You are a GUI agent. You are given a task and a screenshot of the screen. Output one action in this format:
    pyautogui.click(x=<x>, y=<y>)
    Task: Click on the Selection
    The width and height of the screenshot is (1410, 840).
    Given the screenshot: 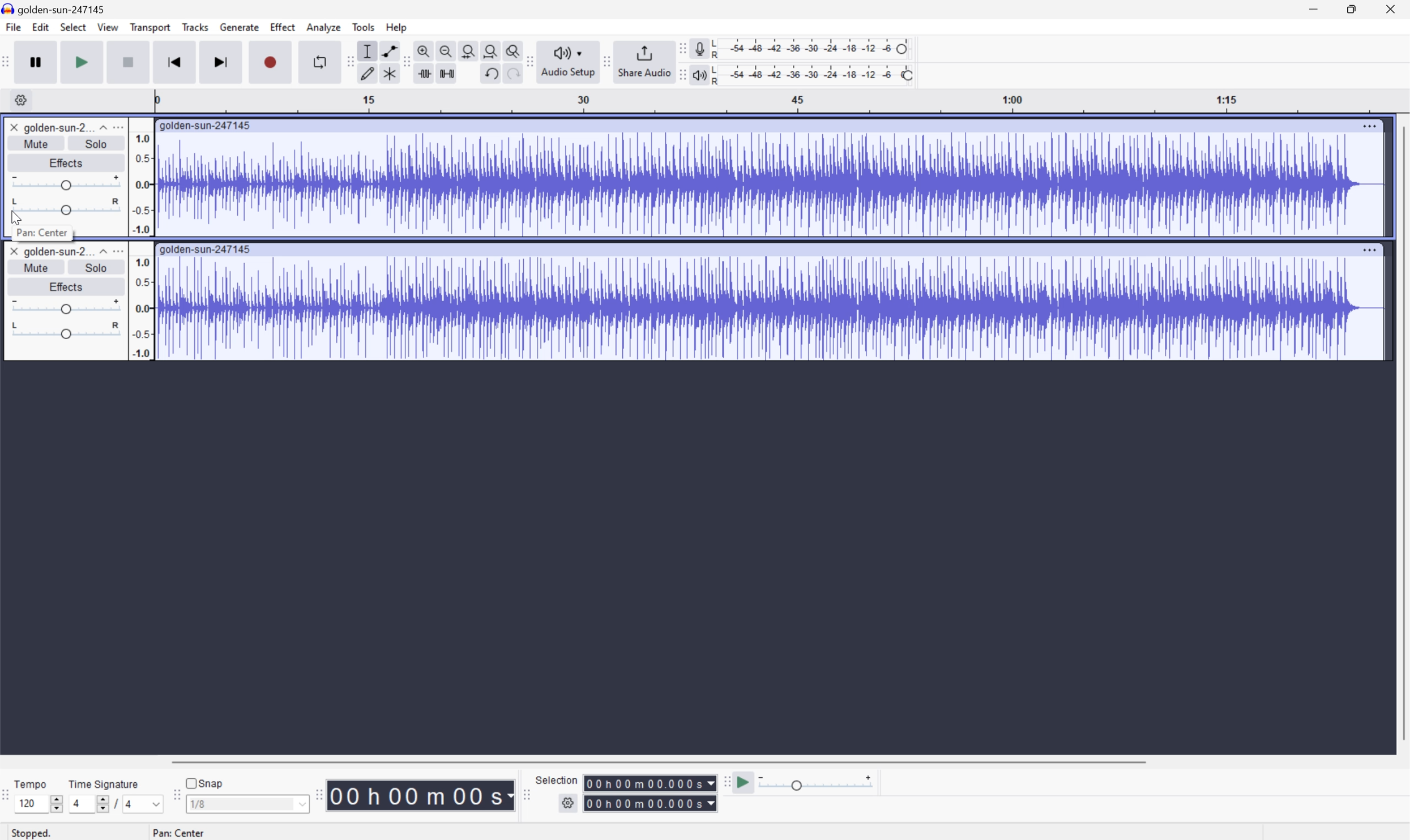 What is the action you would take?
    pyautogui.click(x=558, y=779)
    